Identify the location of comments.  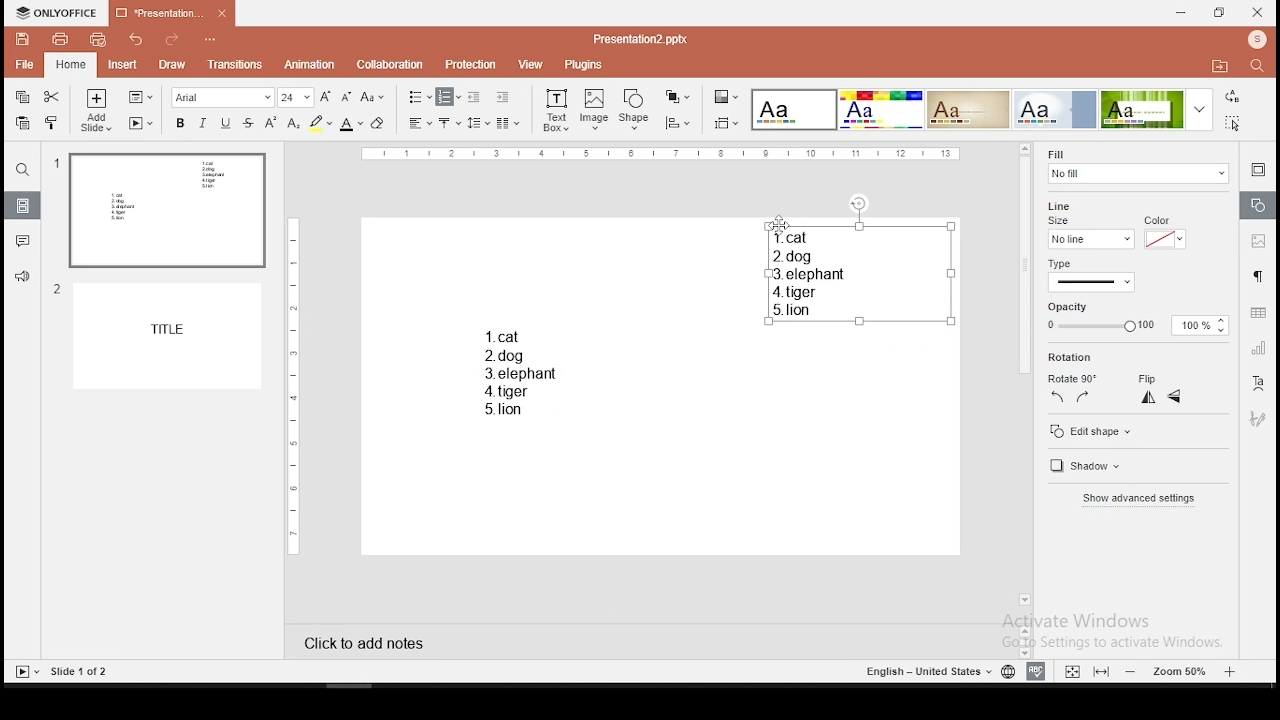
(20, 242).